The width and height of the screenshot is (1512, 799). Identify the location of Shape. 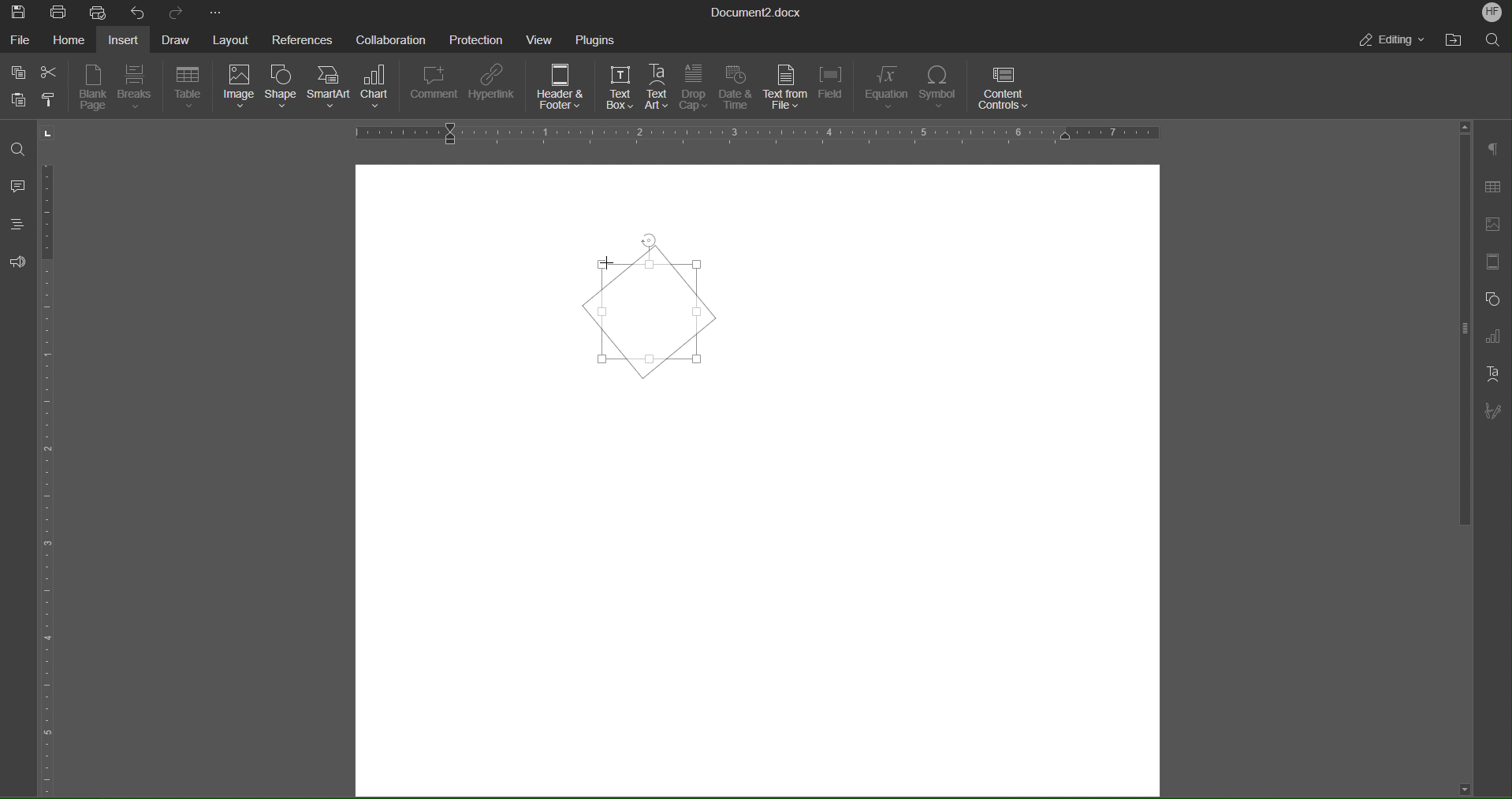
(283, 90).